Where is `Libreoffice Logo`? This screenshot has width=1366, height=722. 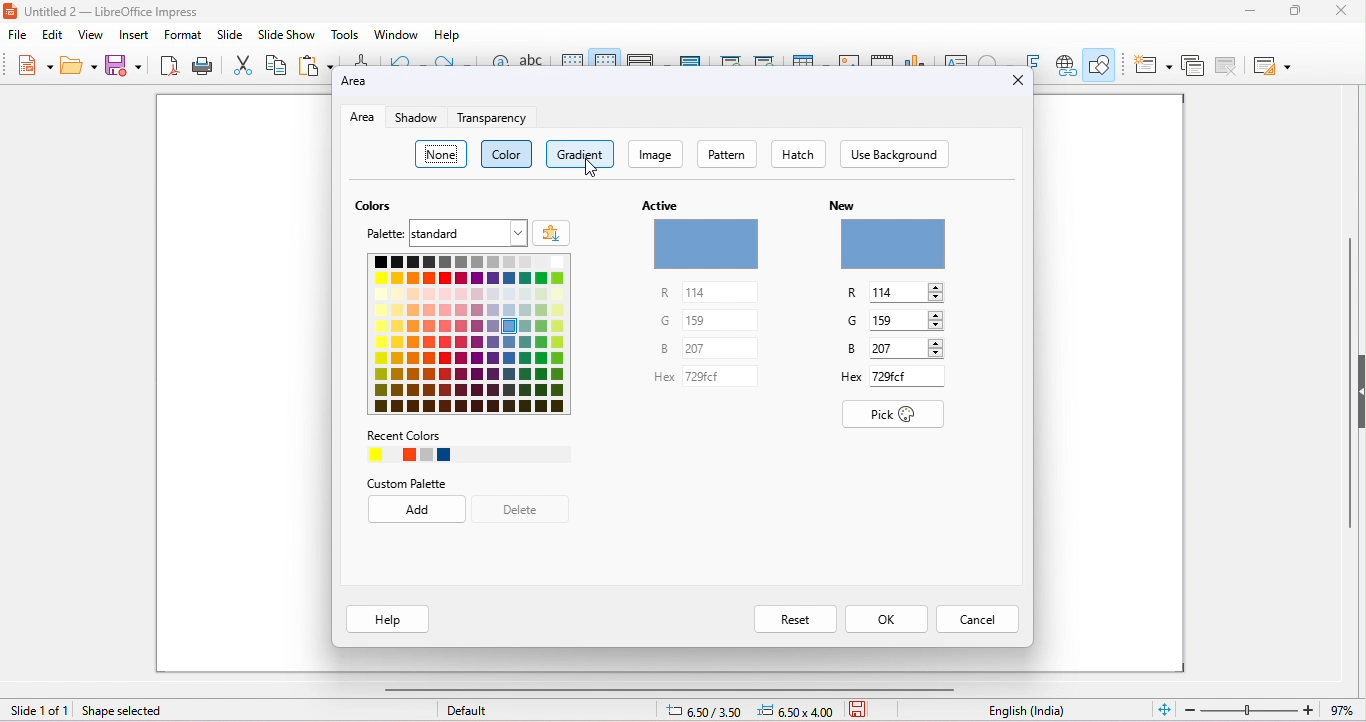
Libreoffice Logo is located at coordinates (9, 9).